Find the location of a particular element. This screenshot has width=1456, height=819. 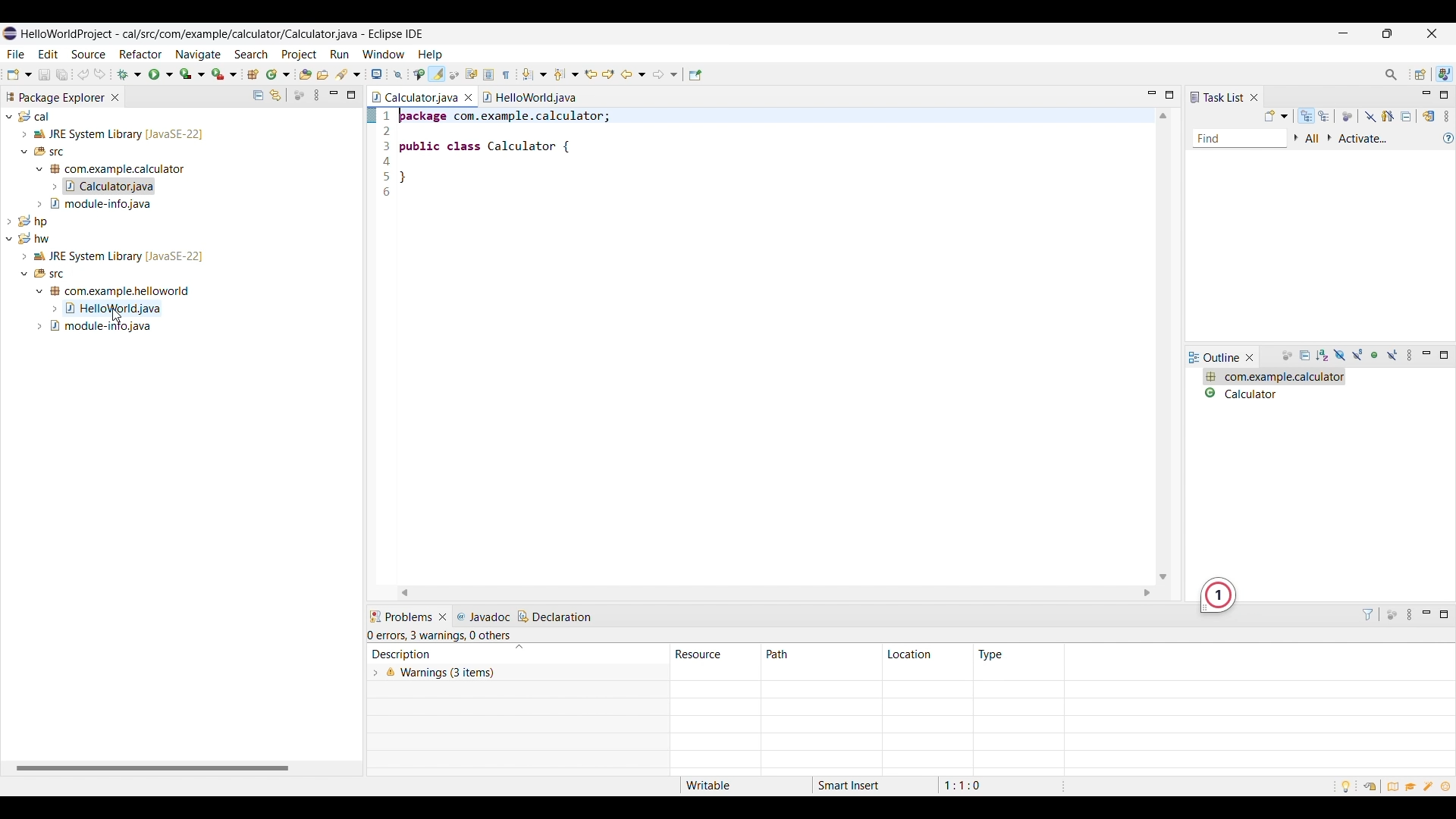

Next annotation options is located at coordinates (535, 74).